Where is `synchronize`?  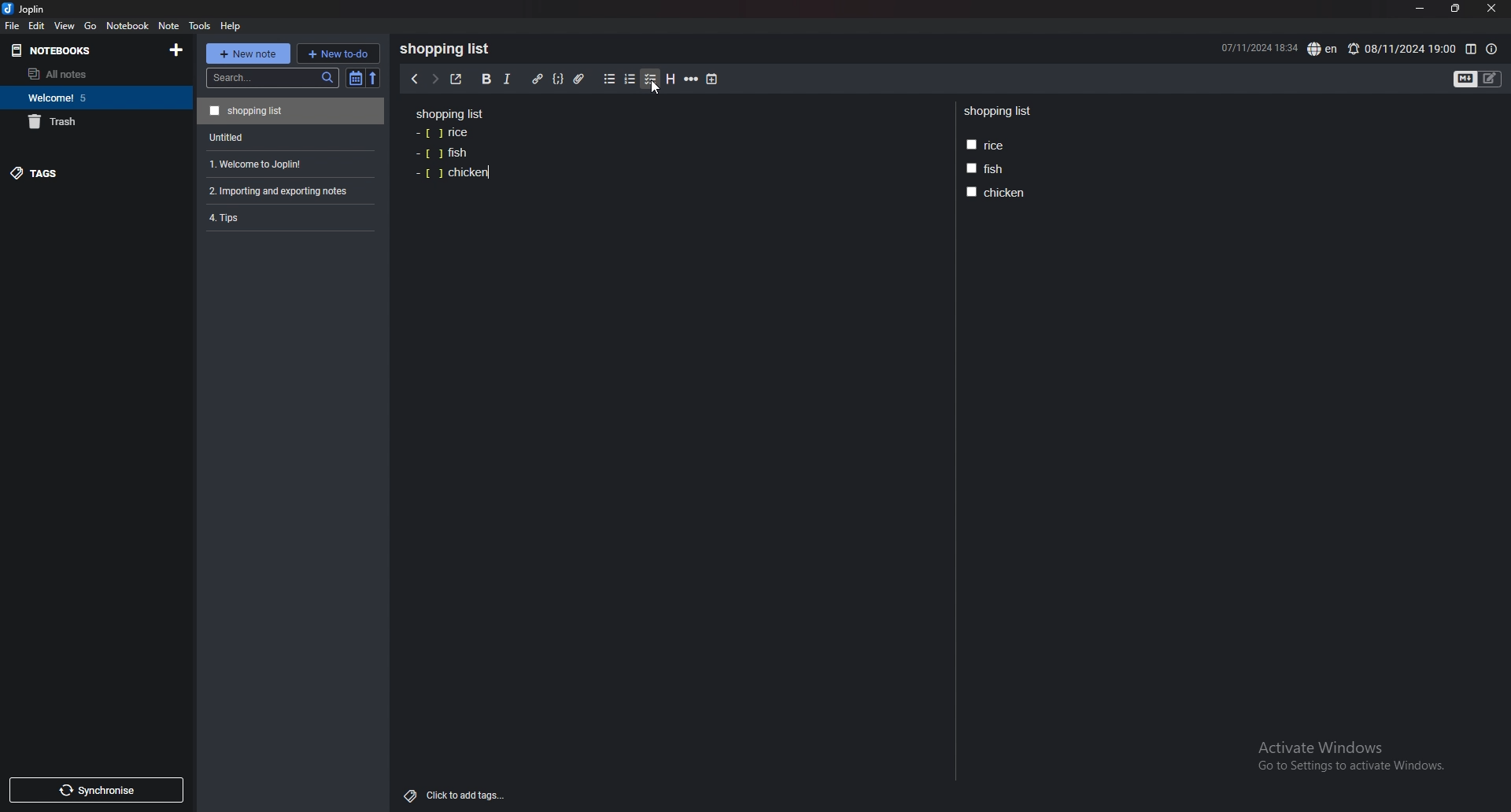 synchronize is located at coordinates (95, 790).